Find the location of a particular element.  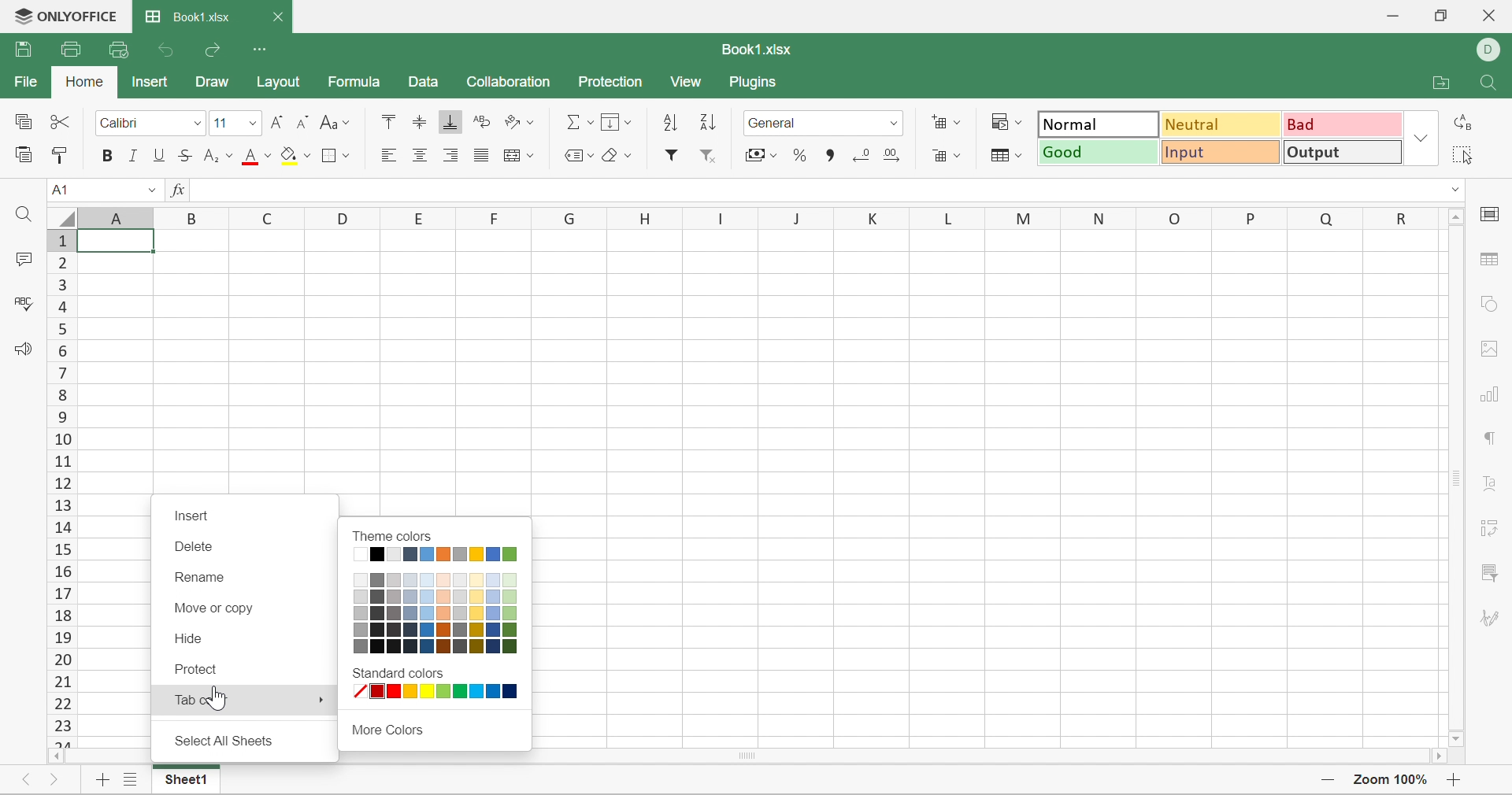

Delete is located at coordinates (192, 551).